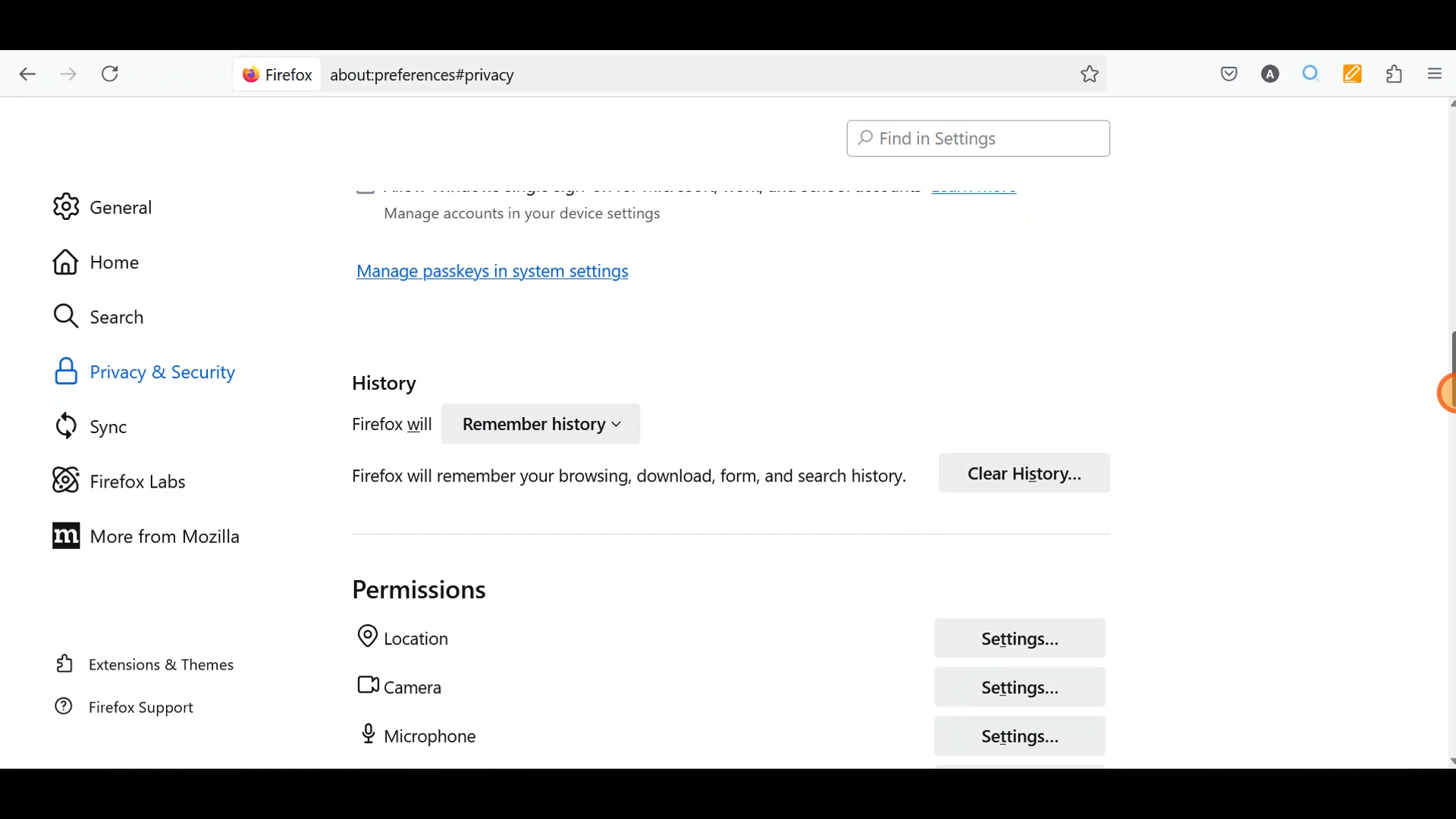 This screenshot has height=819, width=1456. Describe the element at coordinates (133, 479) in the screenshot. I see `Firefox labs` at that location.